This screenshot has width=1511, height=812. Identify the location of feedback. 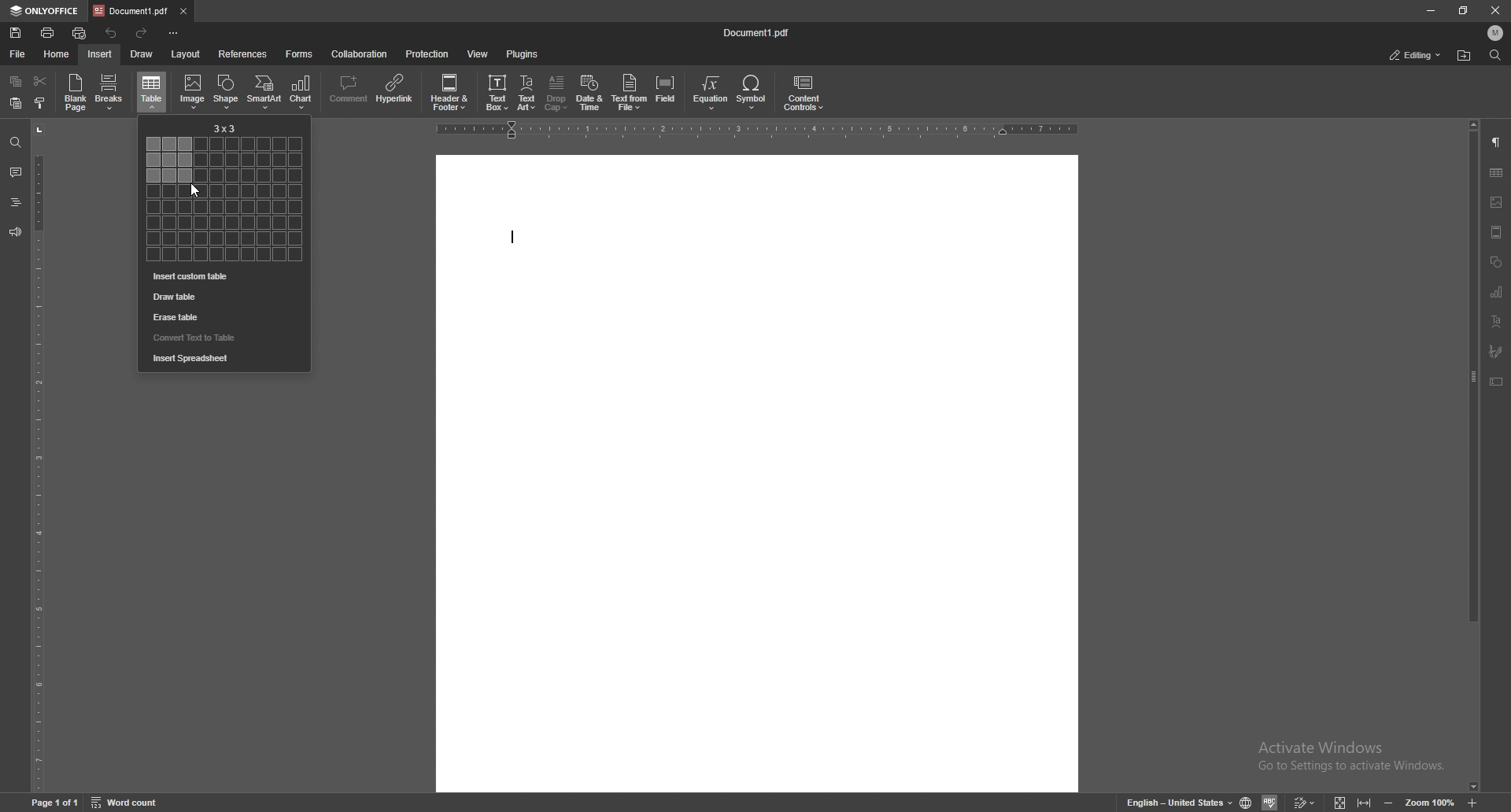
(15, 232).